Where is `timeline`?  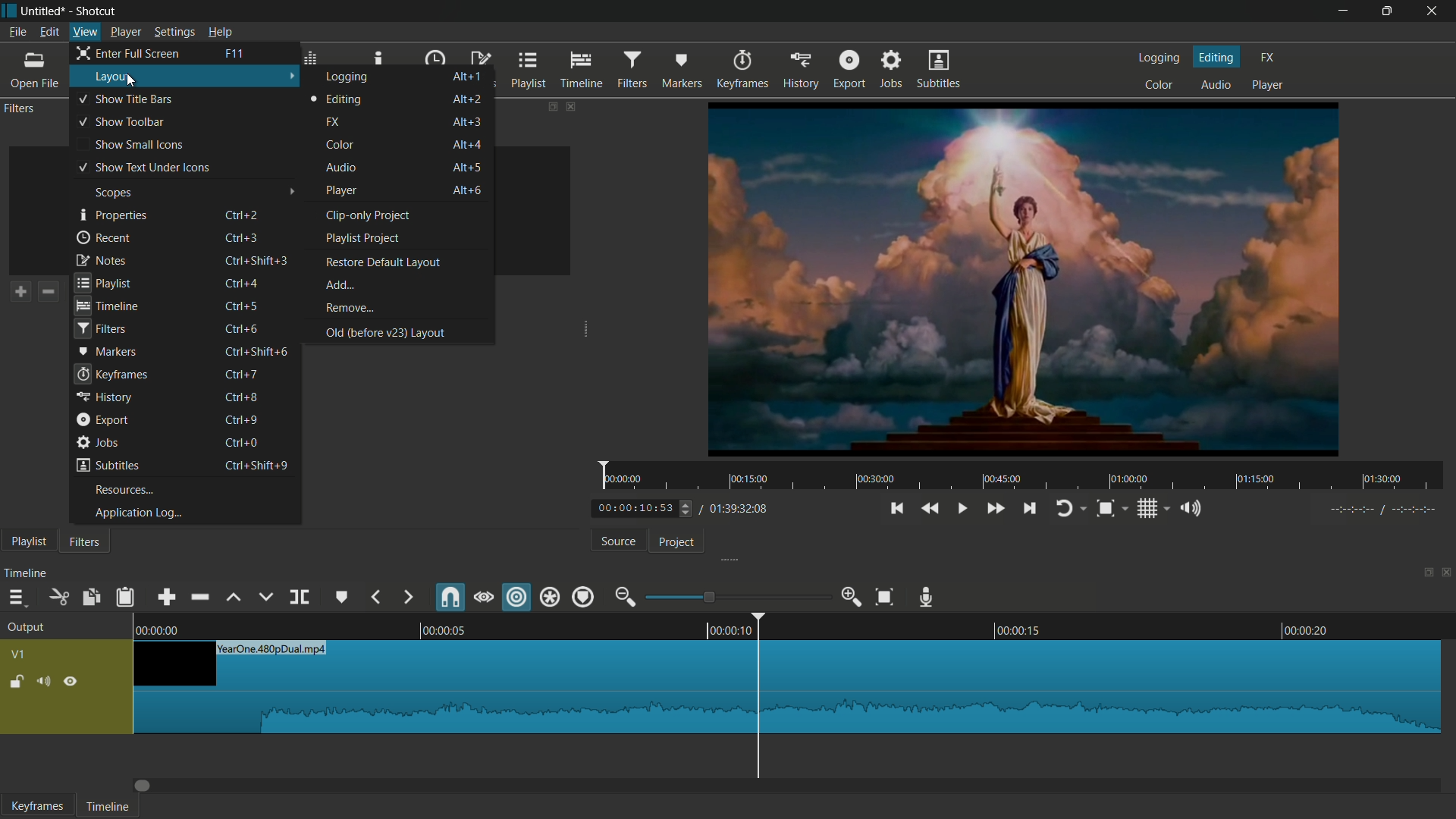
timeline is located at coordinates (107, 306).